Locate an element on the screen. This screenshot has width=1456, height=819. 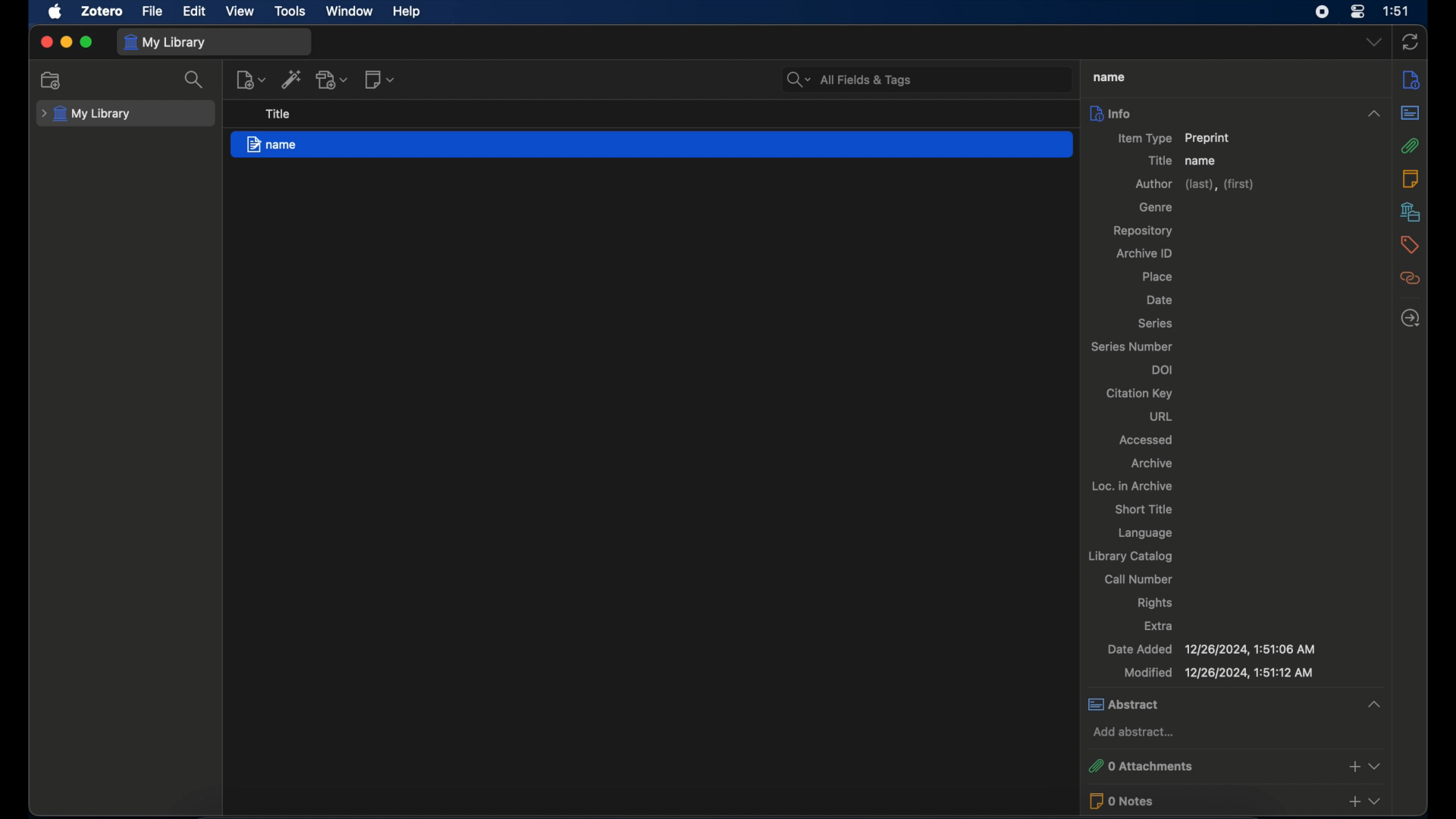
url is located at coordinates (1164, 417).